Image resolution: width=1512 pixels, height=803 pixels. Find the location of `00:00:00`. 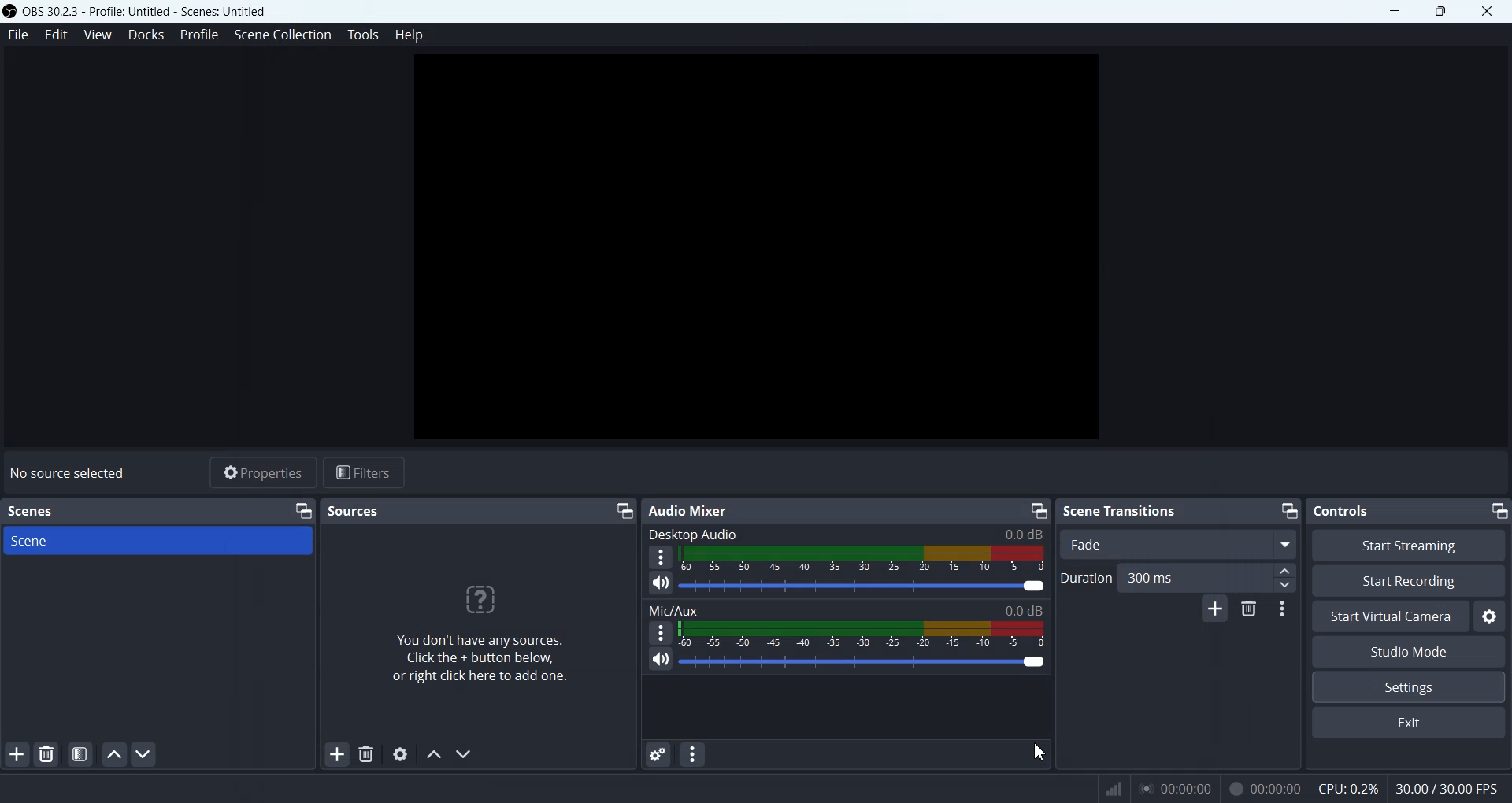

00:00:00 is located at coordinates (1261, 788).